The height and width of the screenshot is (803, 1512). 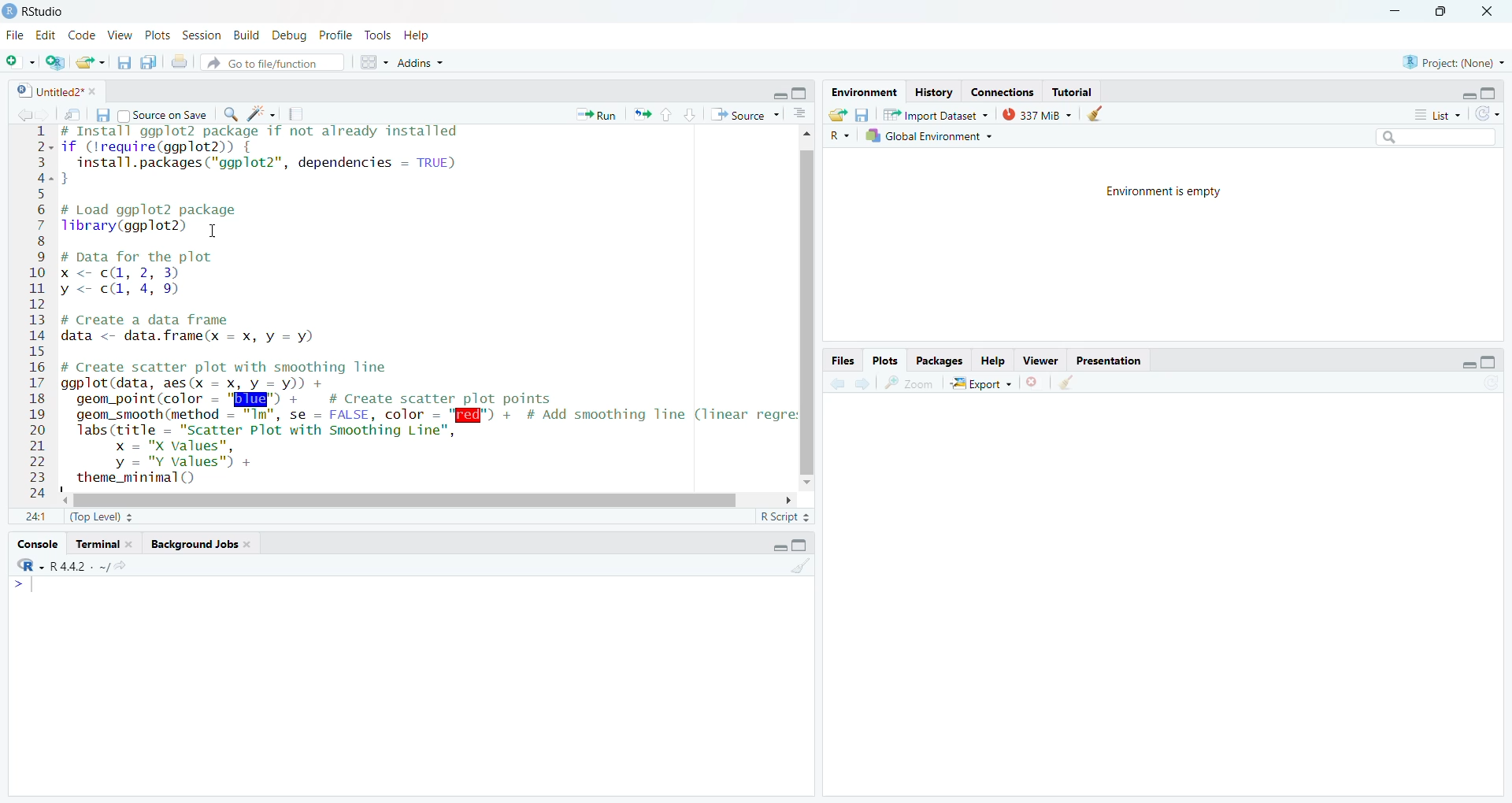 What do you see at coordinates (179, 62) in the screenshot?
I see `print the current file` at bounding box center [179, 62].